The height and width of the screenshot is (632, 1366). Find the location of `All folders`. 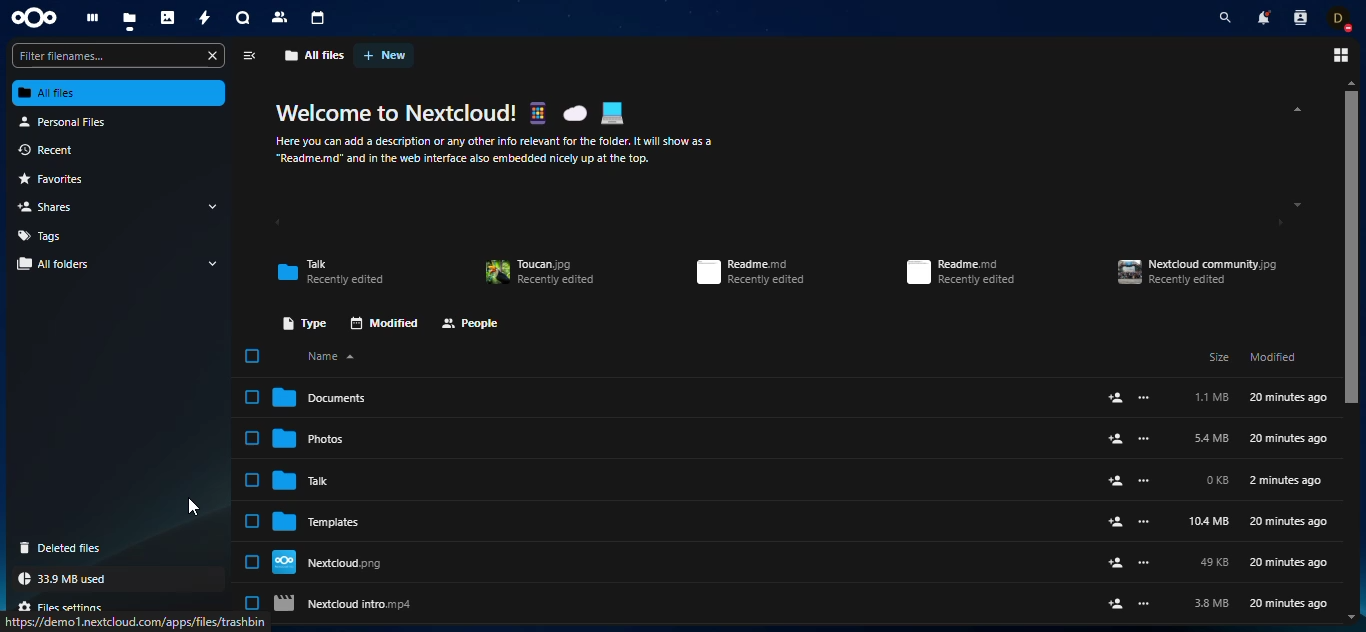

All folders is located at coordinates (54, 266).